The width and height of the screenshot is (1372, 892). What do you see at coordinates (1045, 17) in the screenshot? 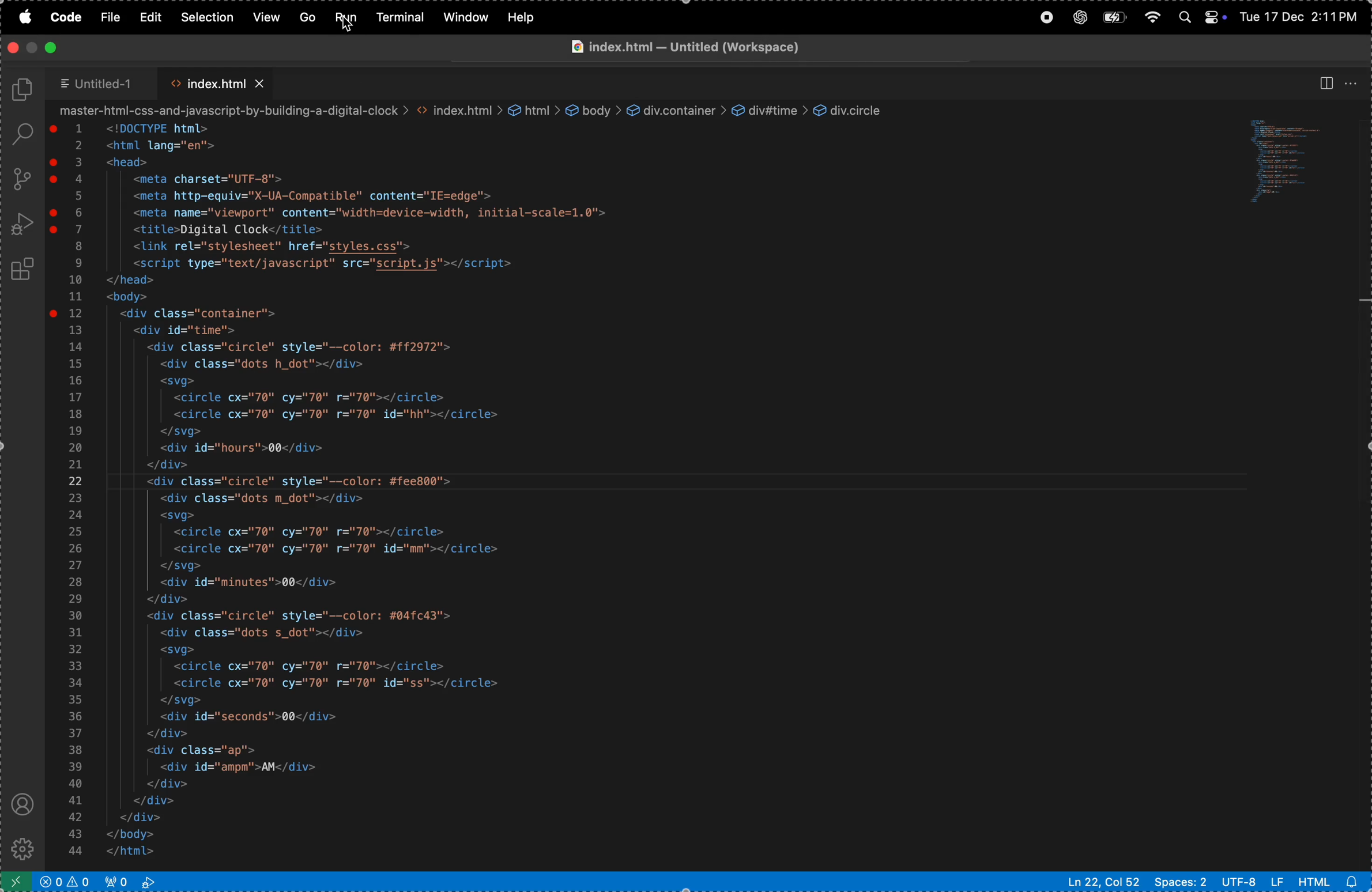
I see `record` at bounding box center [1045, 17].